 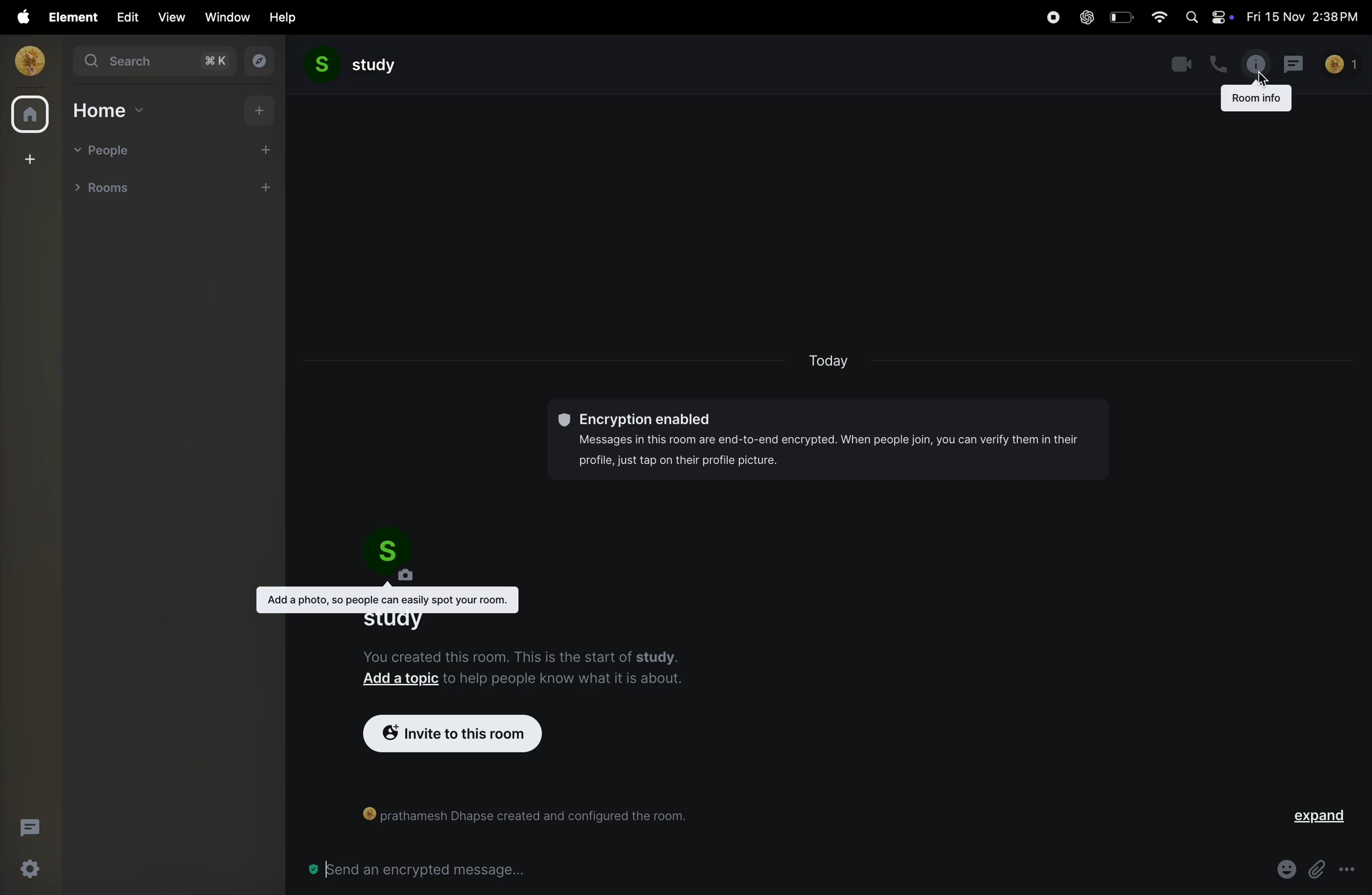 What do you see at coordinates (1255, 63) in the screenshot?
I see `info` at bounding box center [1255, 63].